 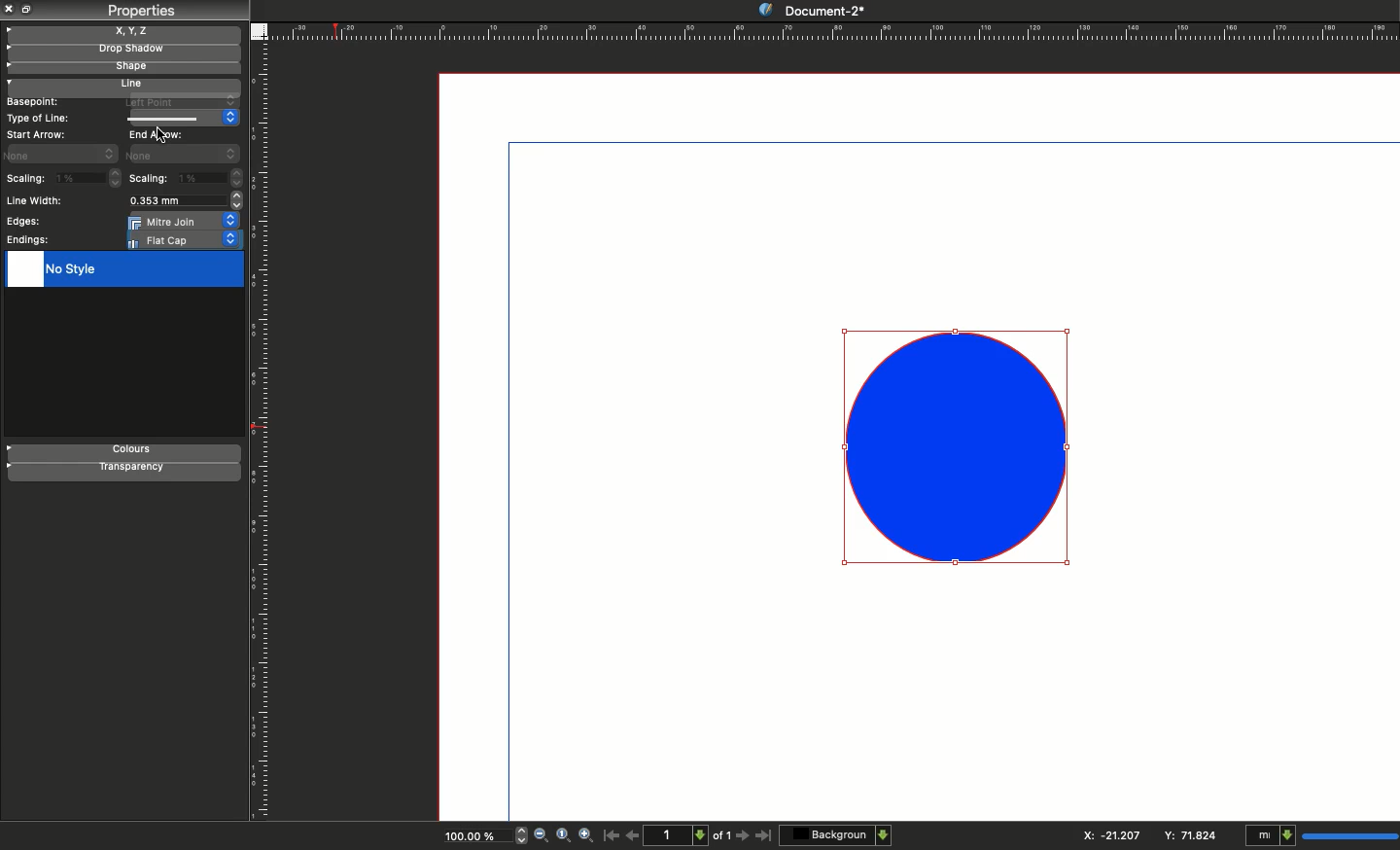 What do you see at coordinates (185, 221) in the screenshot?
I see `Mitre join` at bounding box center [185, 221].